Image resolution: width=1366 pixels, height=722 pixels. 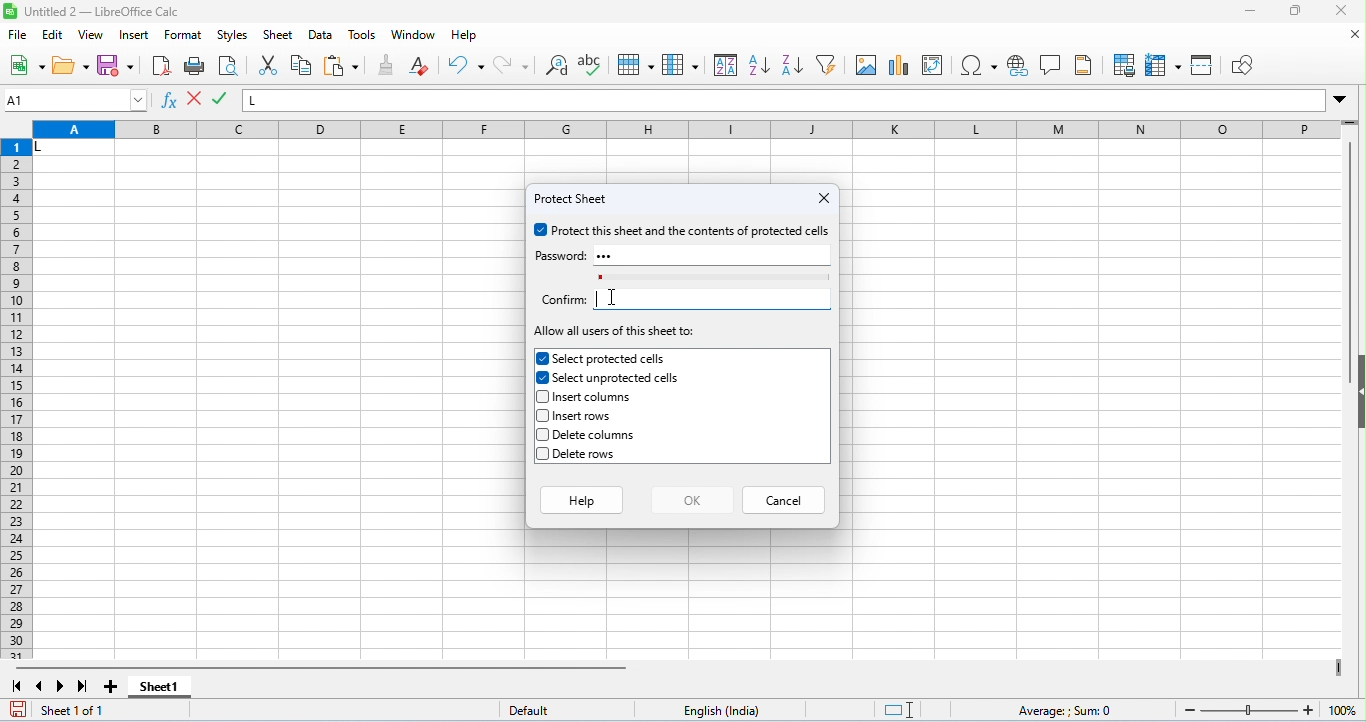 What do you see at coordinates (227, 67) in the screenshot?
I see `print preview` at bounding box center [227, 67].